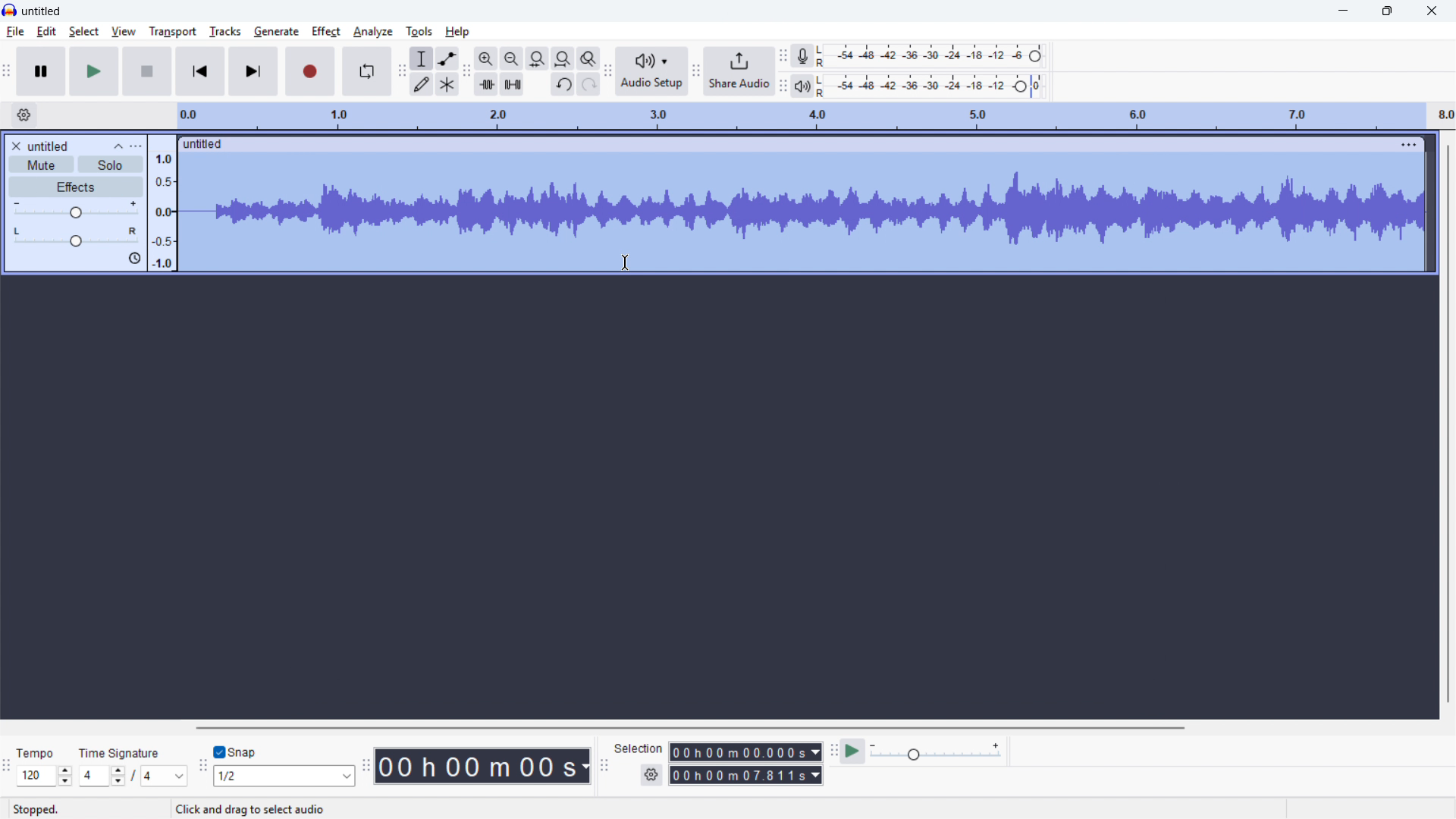 The height and width of the screenshot is (819, 1456). I want to click on timeline settings, so click(24, 115).